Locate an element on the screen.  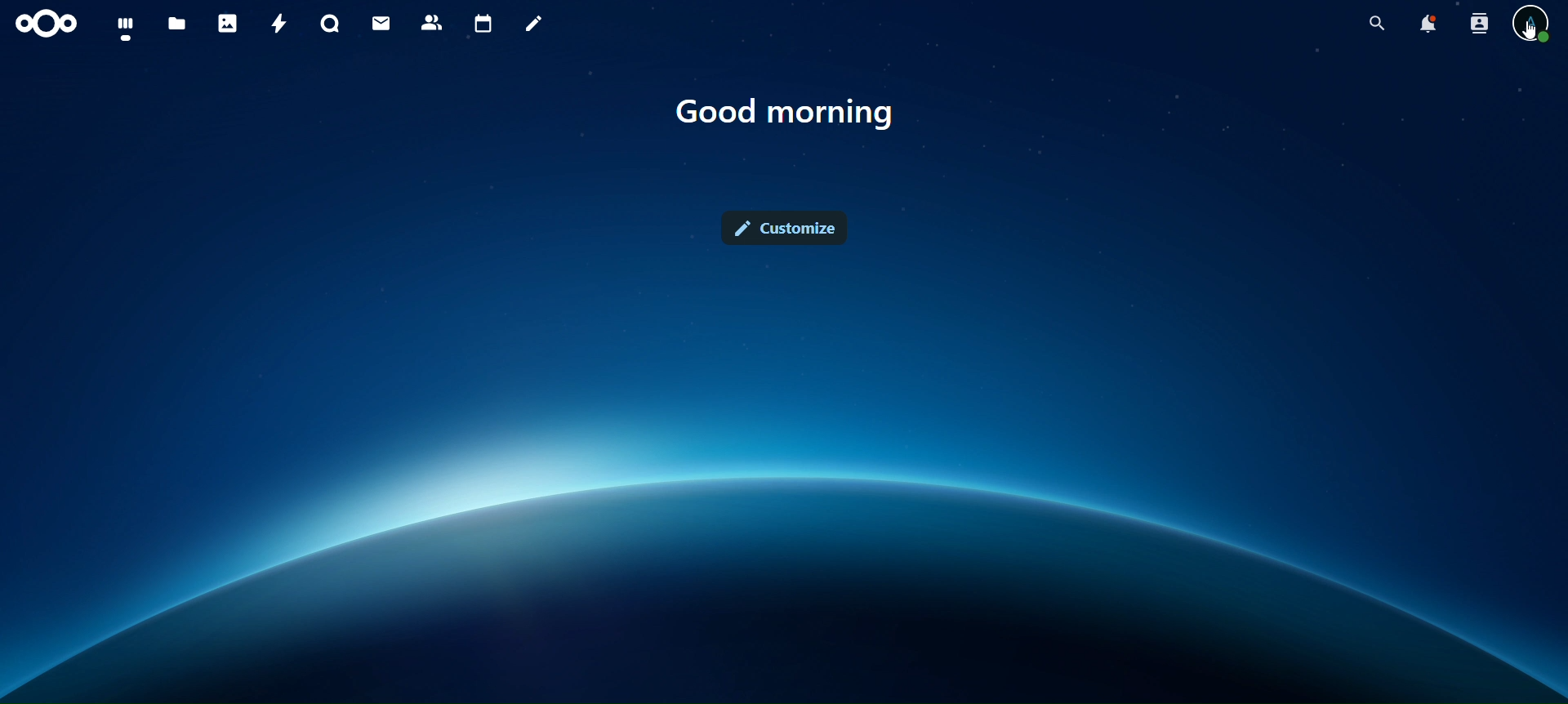
calendar is located at coordinates (486, 25).